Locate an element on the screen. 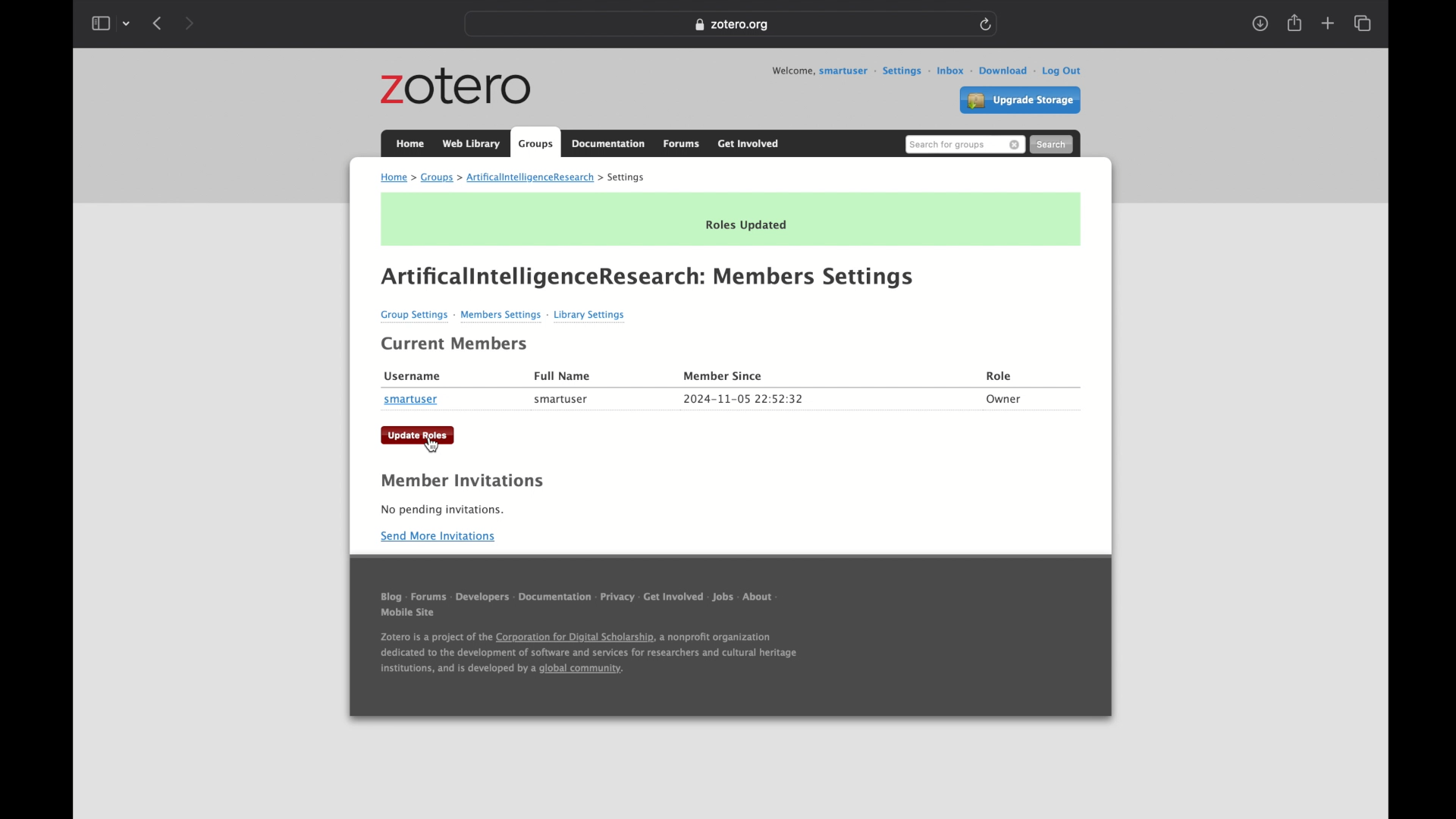 This screenshot has height=819, width=1456. send more invitations is located at coordinates (439, 537).